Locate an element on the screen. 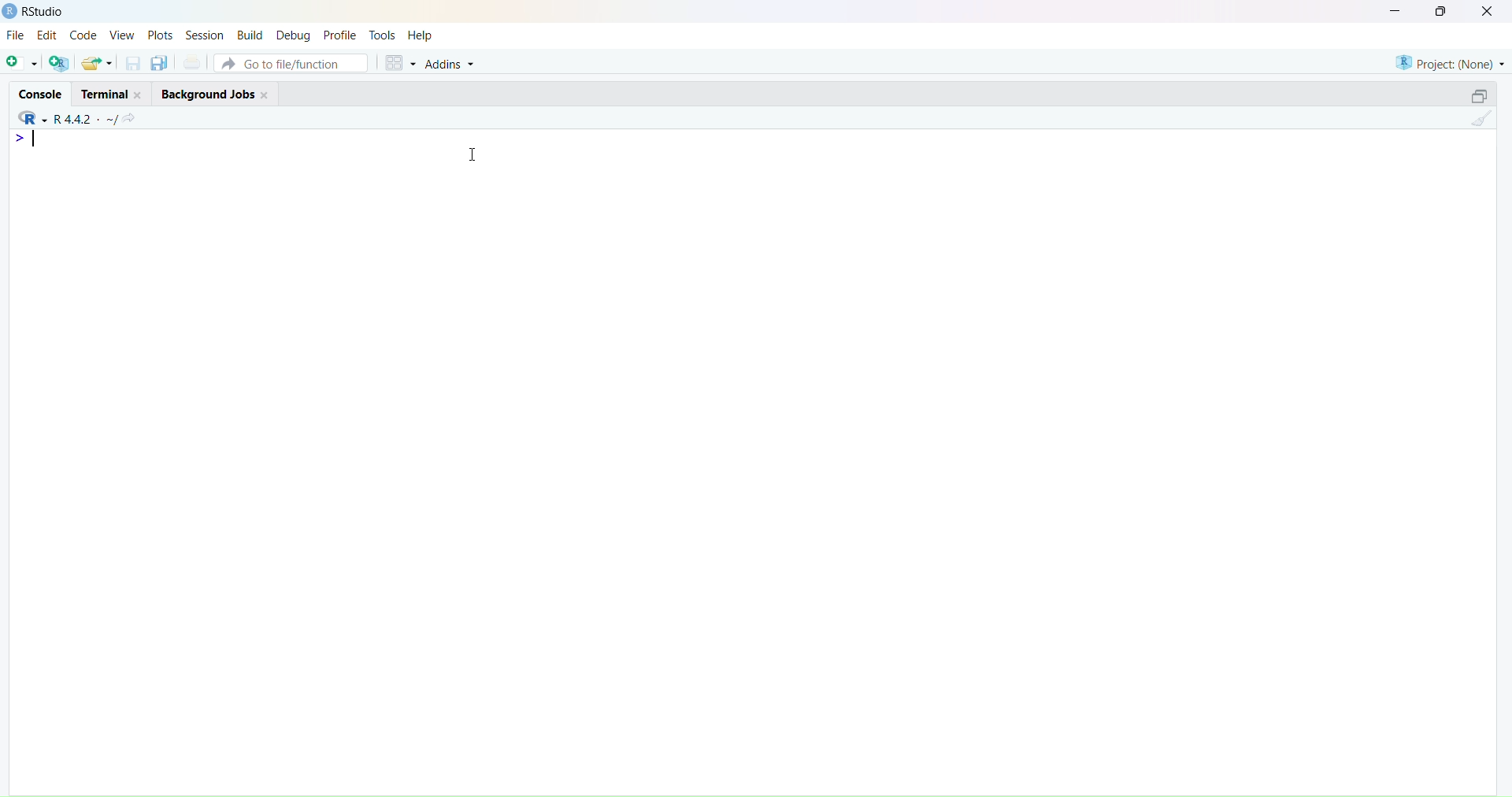 This screenshot has height=797, width=1512. edit is located at coordinates (49, 35).